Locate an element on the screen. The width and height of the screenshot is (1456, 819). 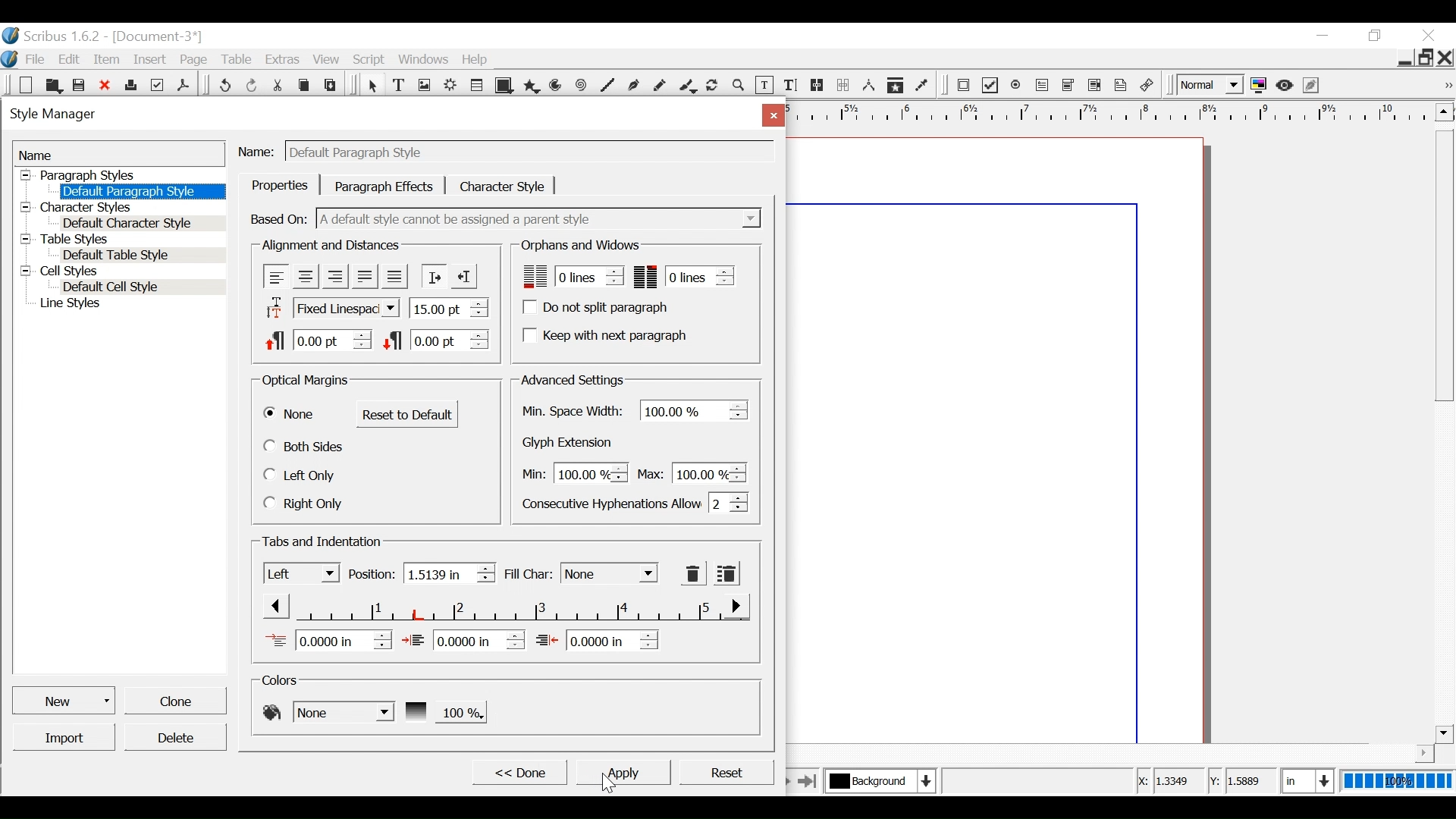
Ensure that the first line of the paragraph wont end up seperated is located at coordinates (570, 276).